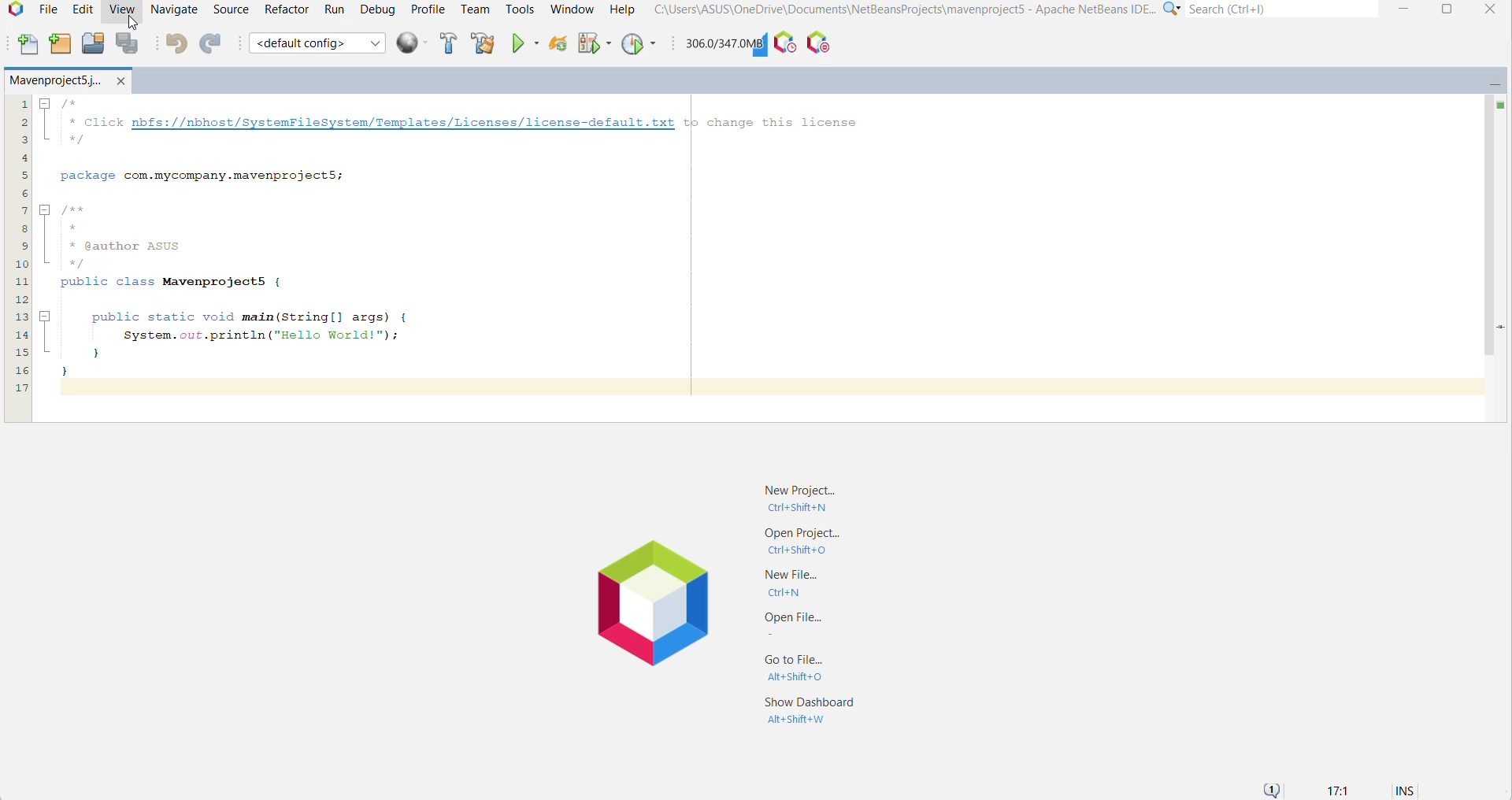 The image size is (1512, 800). I want to click on C"\Users\ASUS\OneDrive\Documents\NetBeansProjects\mavenproject5 - Apache NetBeans IDE..., so click(900, 10).